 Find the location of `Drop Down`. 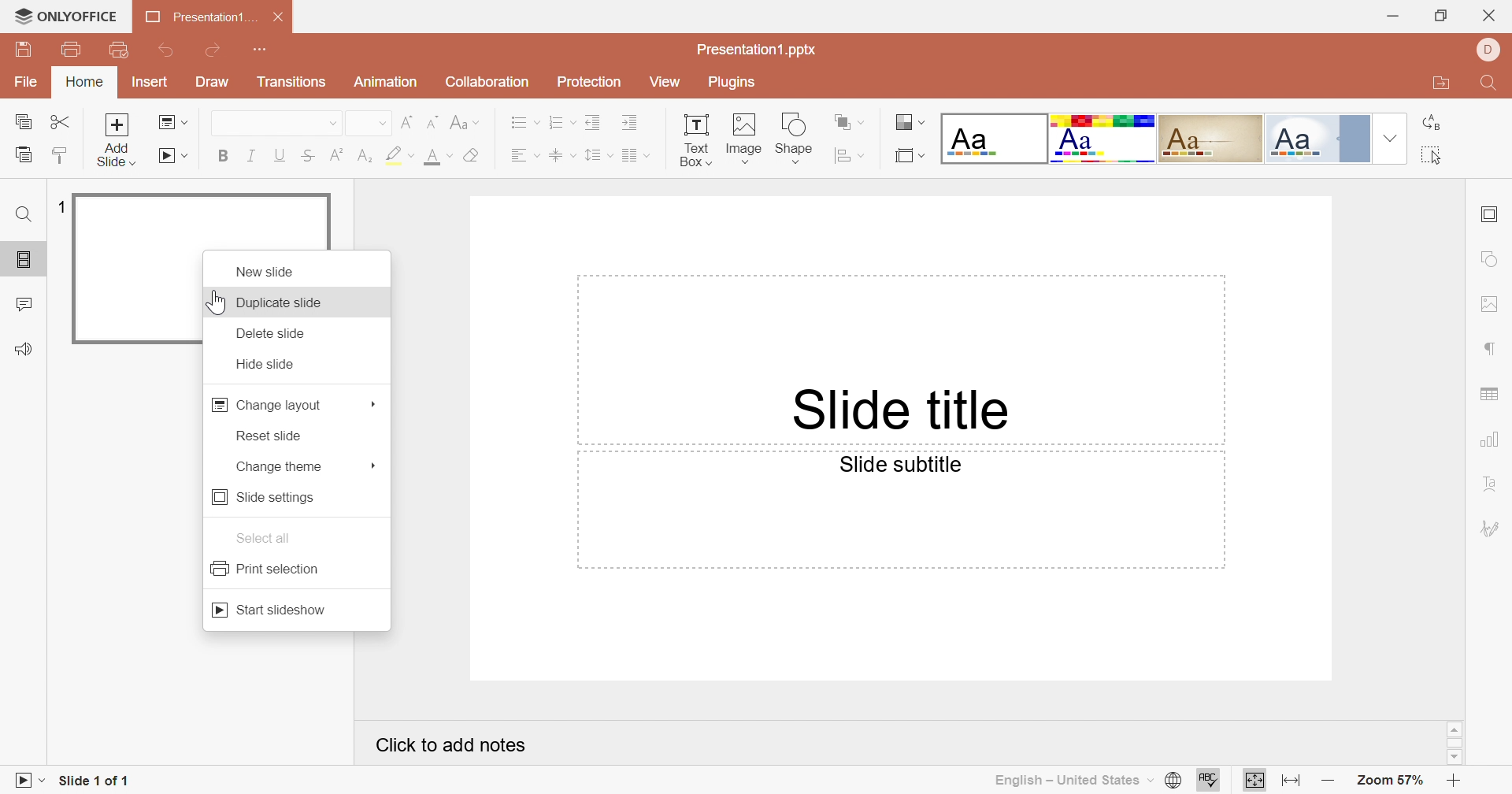

Drop Down is located at coordinates (371, 467).